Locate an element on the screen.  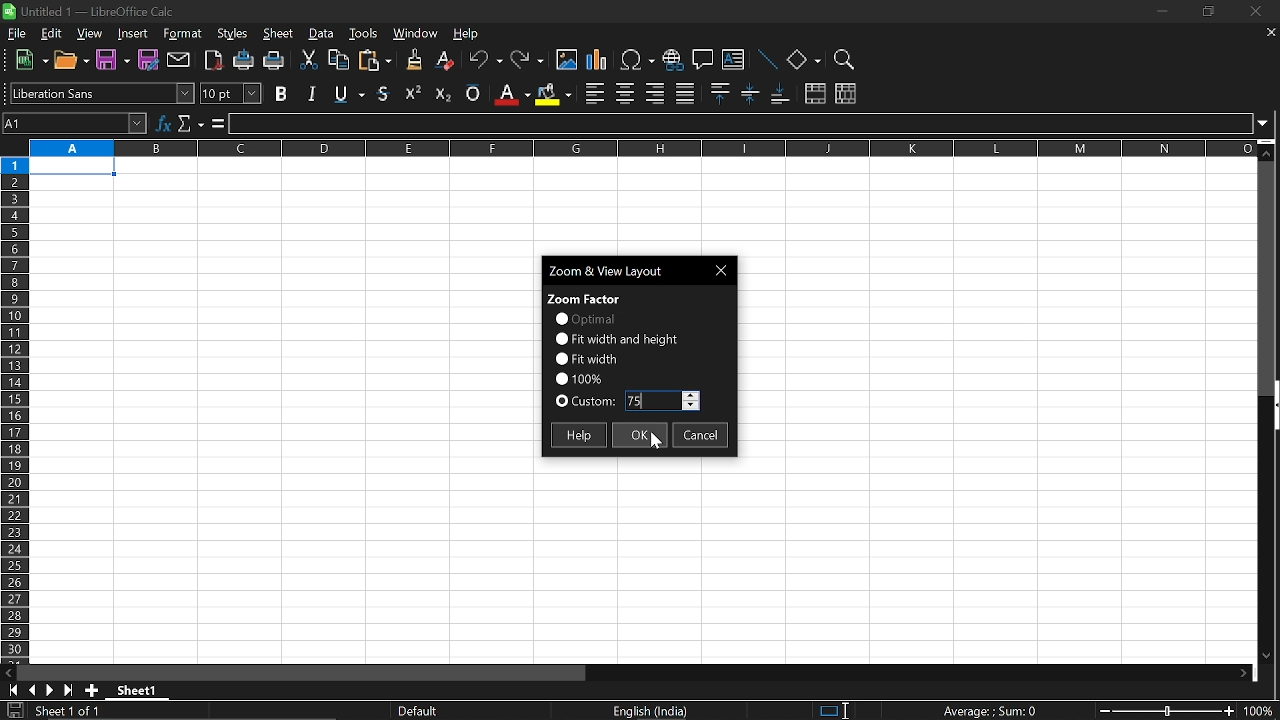
sheet name is located at coordinates (142, 690).